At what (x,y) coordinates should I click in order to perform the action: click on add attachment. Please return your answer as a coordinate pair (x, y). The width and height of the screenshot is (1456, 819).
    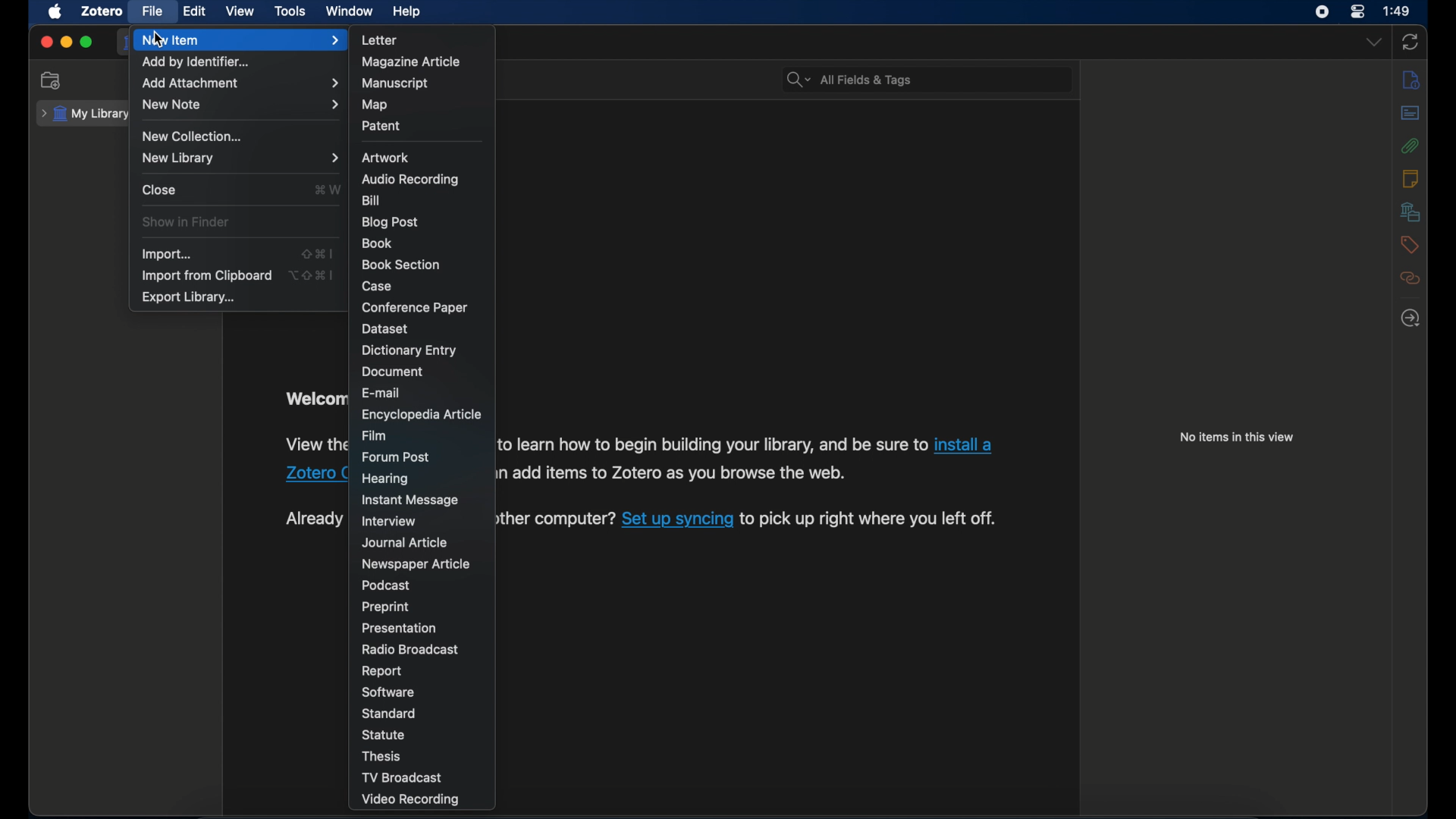
    Looking at the image, I should click on (240, 83).